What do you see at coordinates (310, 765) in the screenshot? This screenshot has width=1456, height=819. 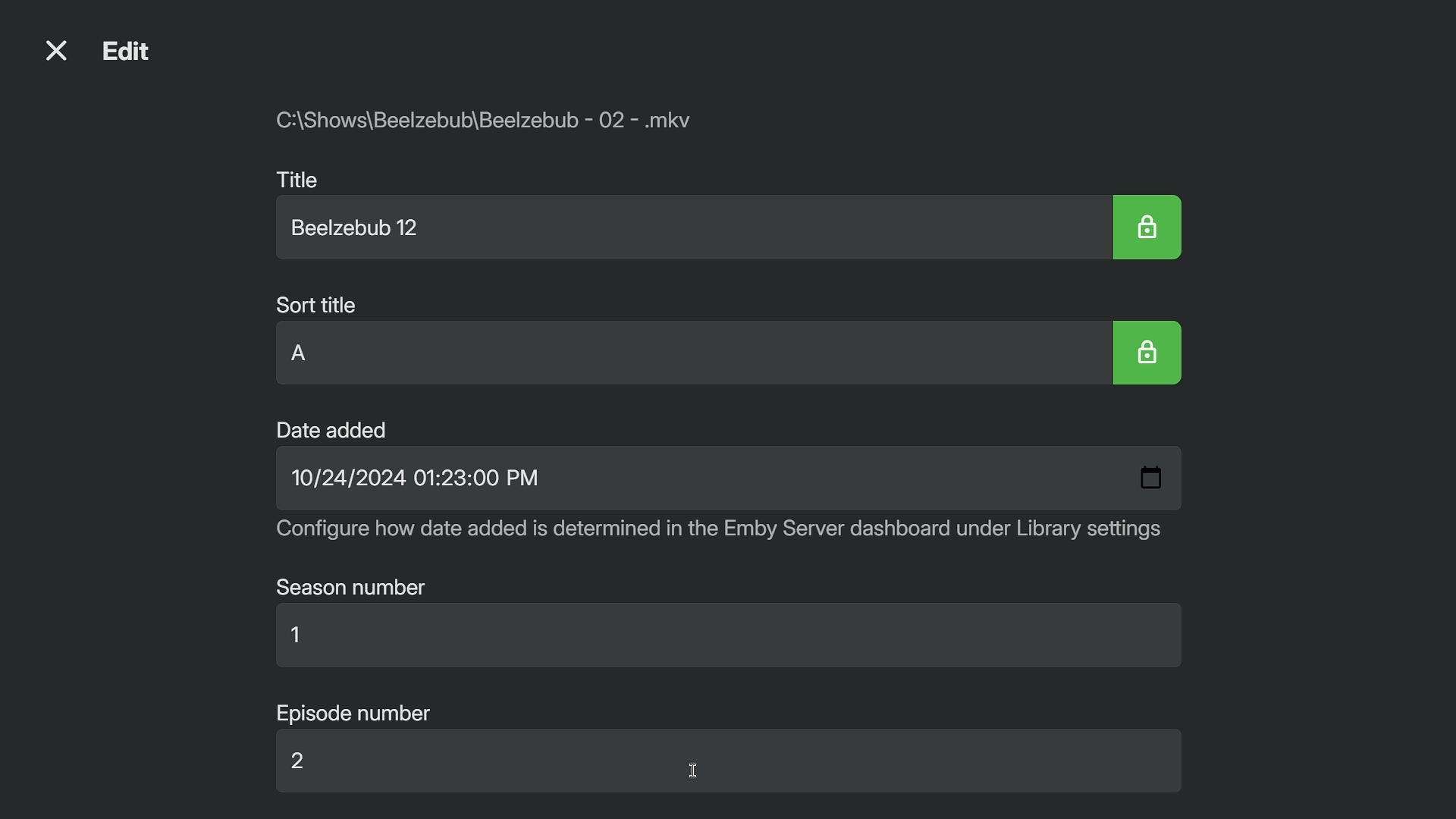 I see `2` at bounding box center [310, 765].